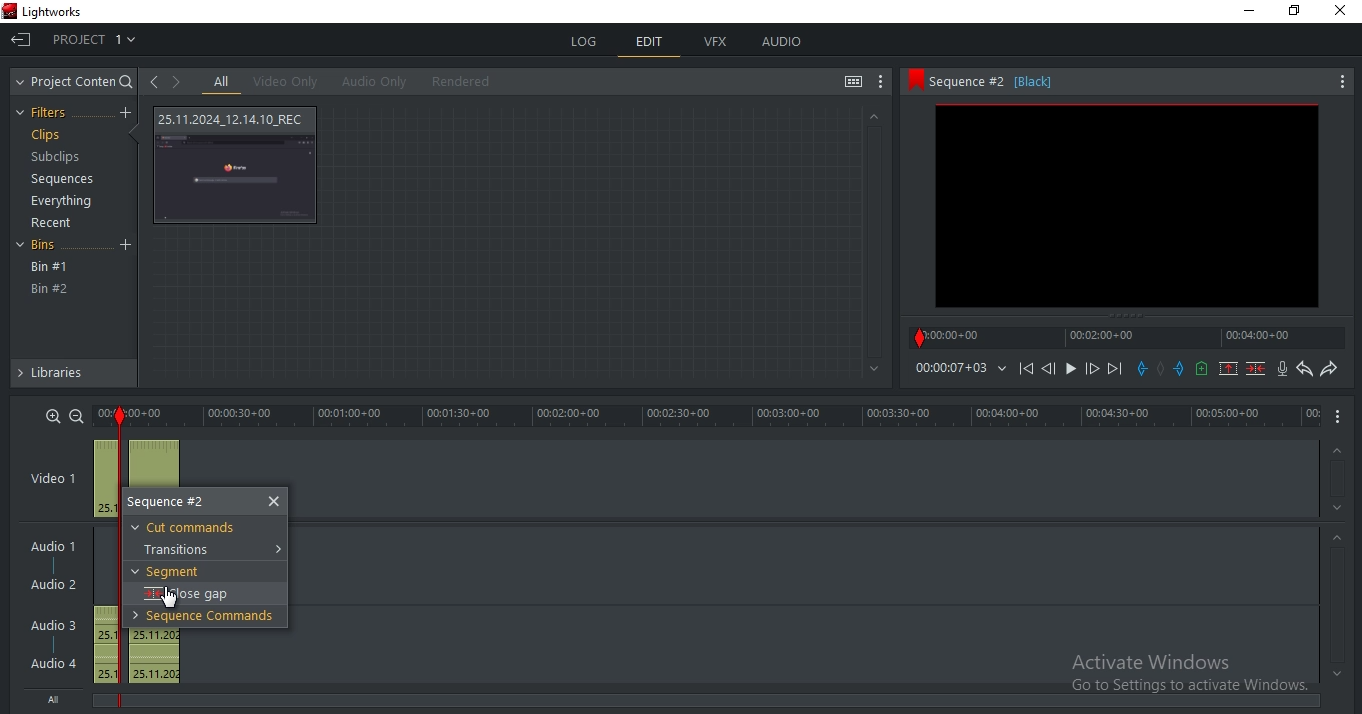  I want to click on all, so click(222, 82).